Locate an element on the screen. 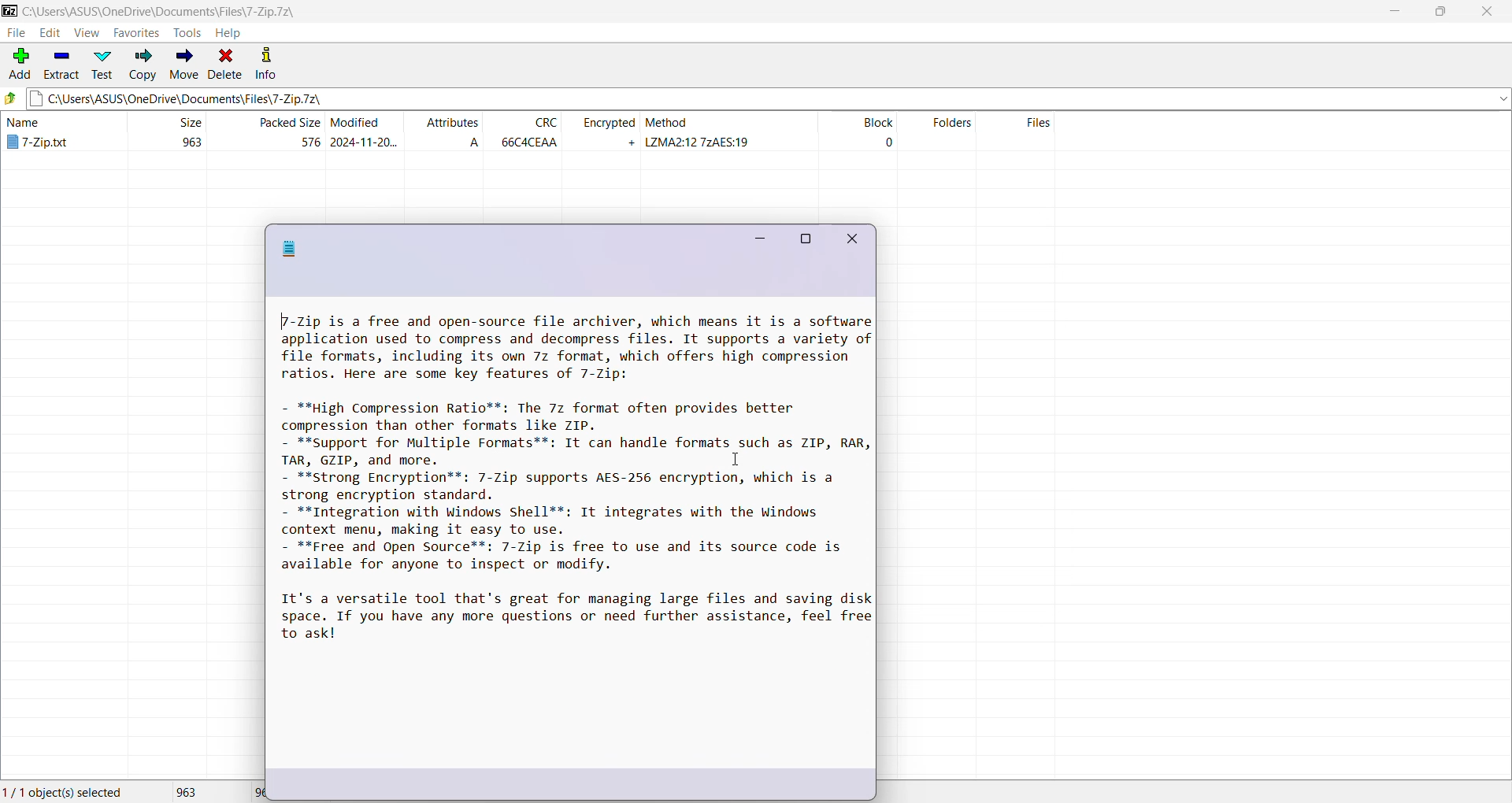 The image size is (1512, 803). Copy is located at coordinates (143, 64).